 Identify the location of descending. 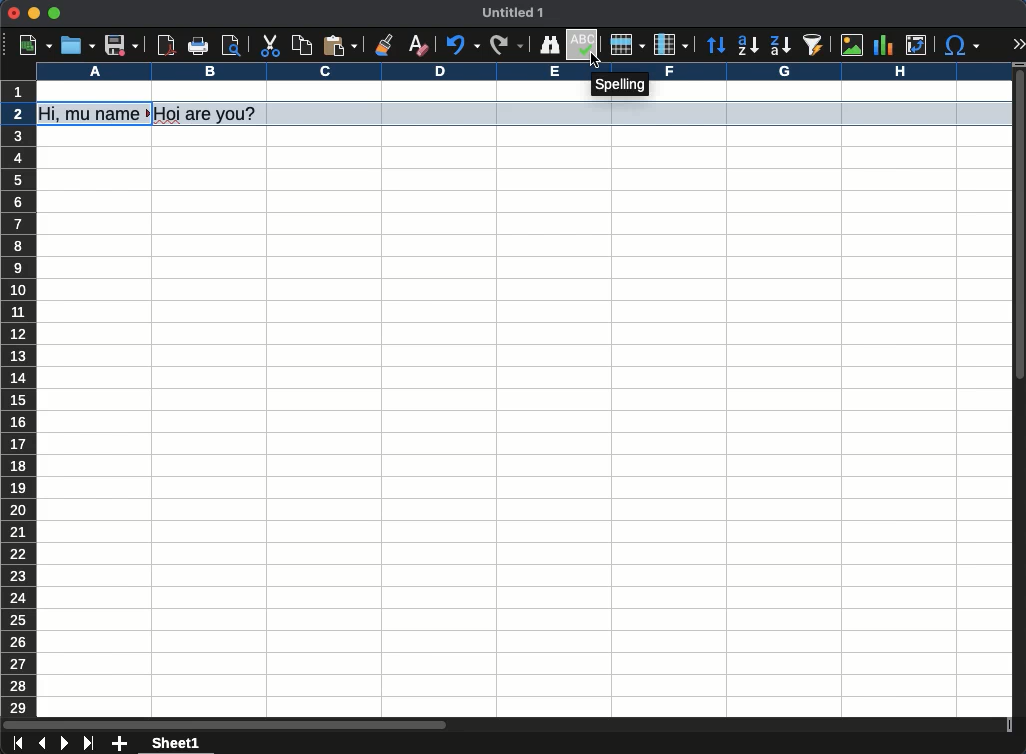
(780, 45).